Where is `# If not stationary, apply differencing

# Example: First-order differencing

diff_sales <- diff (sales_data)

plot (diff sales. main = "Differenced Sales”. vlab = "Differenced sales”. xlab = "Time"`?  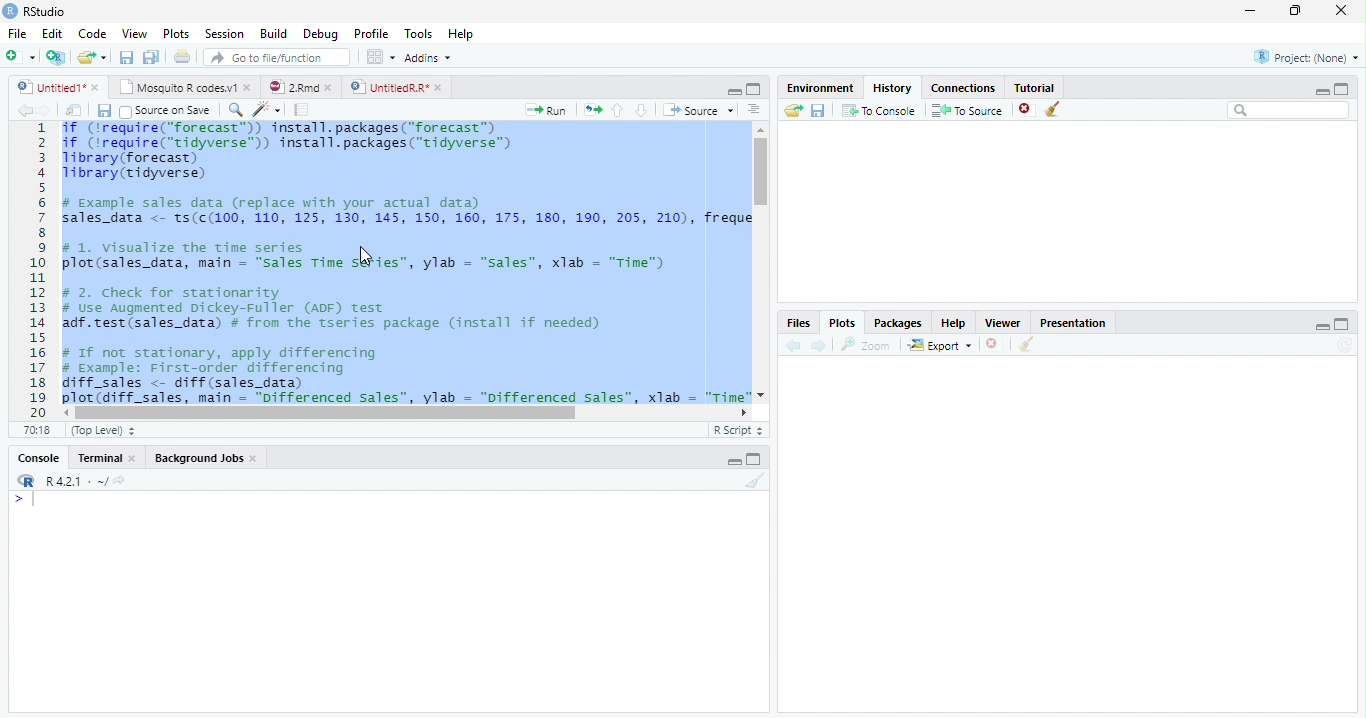
# If not stationary, apply differencing

# Example: First-order differencing

diff_sales <- diff (sales_data)

plot (diff sales. main = "Differenced Sales”. vlab = "Differenced sales”. xlab = "Time" is located at coordinates (405, 375).